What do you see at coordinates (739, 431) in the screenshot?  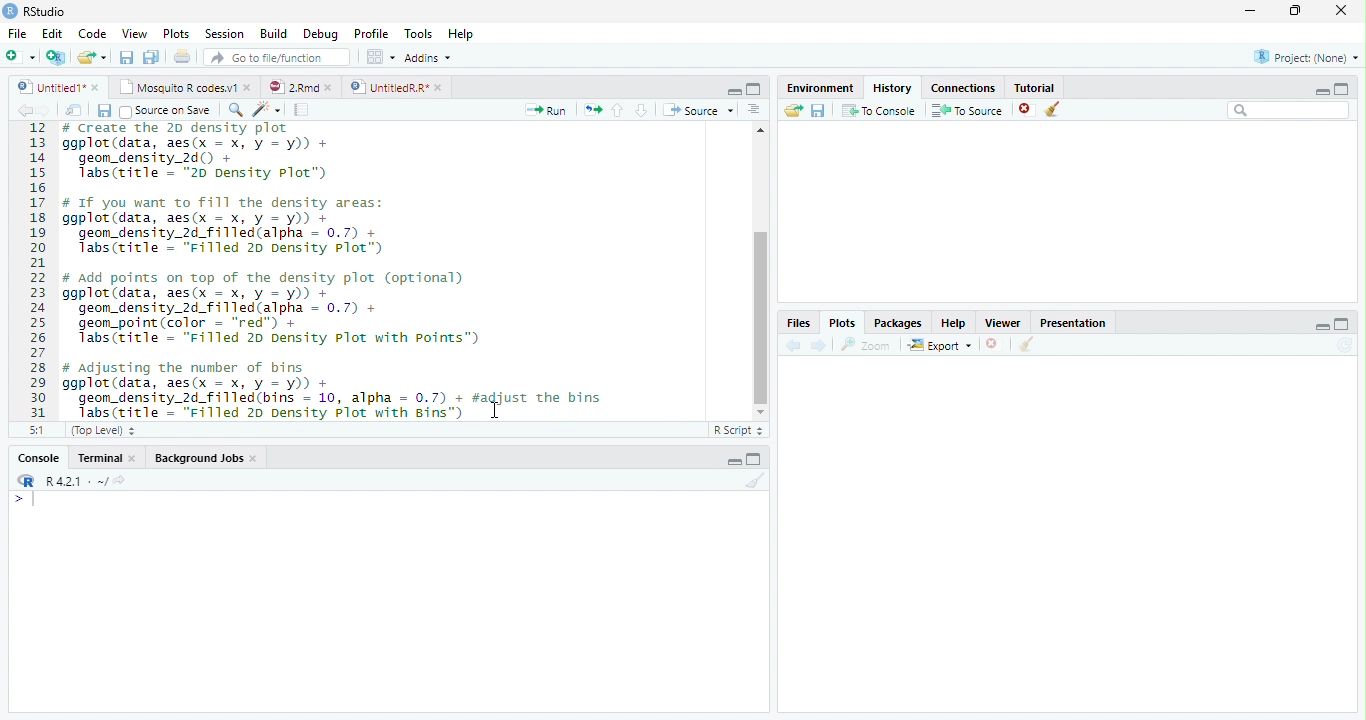 I see `R Script` at bounding box center [739, 431].